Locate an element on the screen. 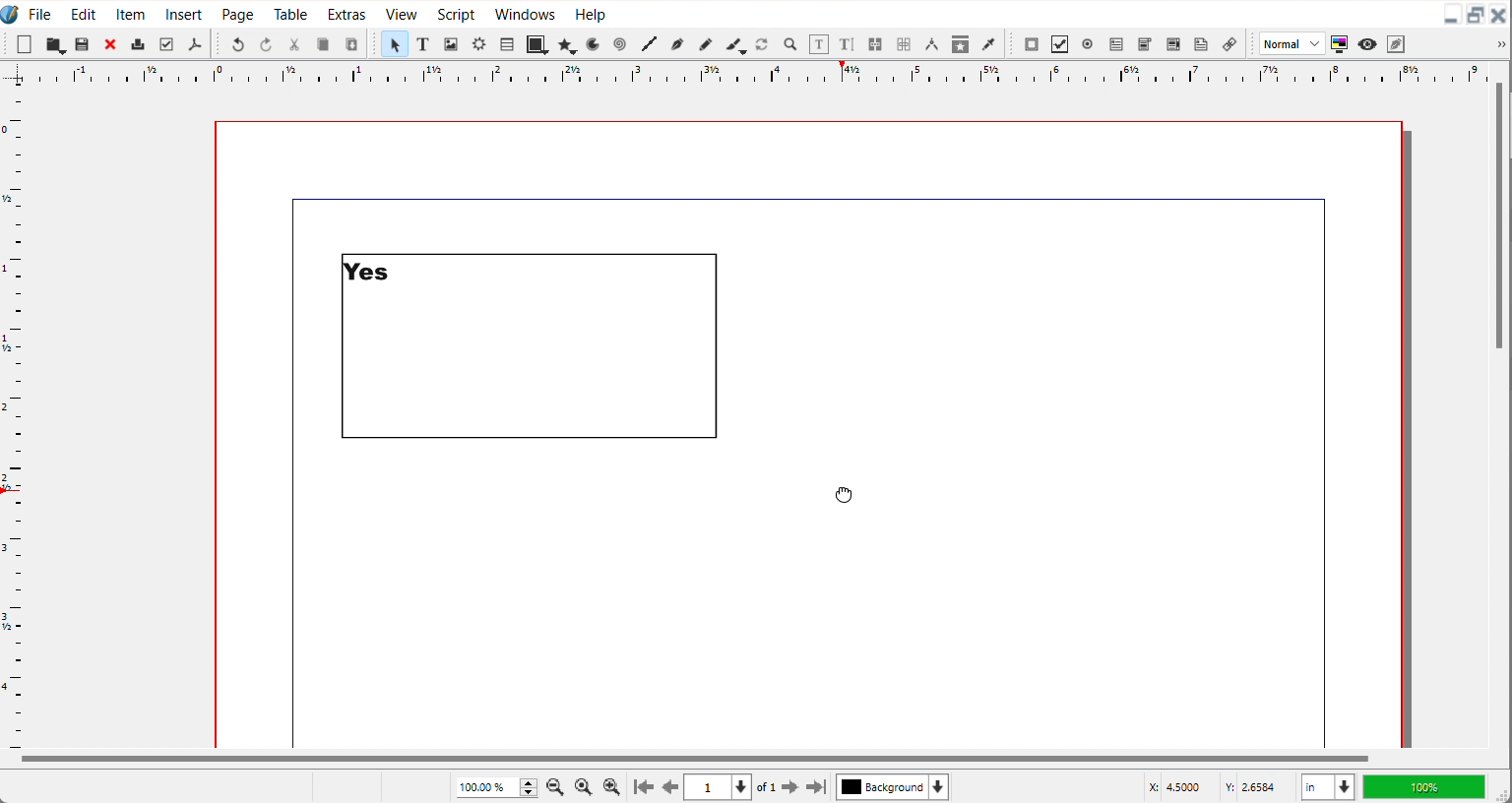 The height and width of the screenshot is (803, 1512). Cursor is located at coordinates (844, 495).